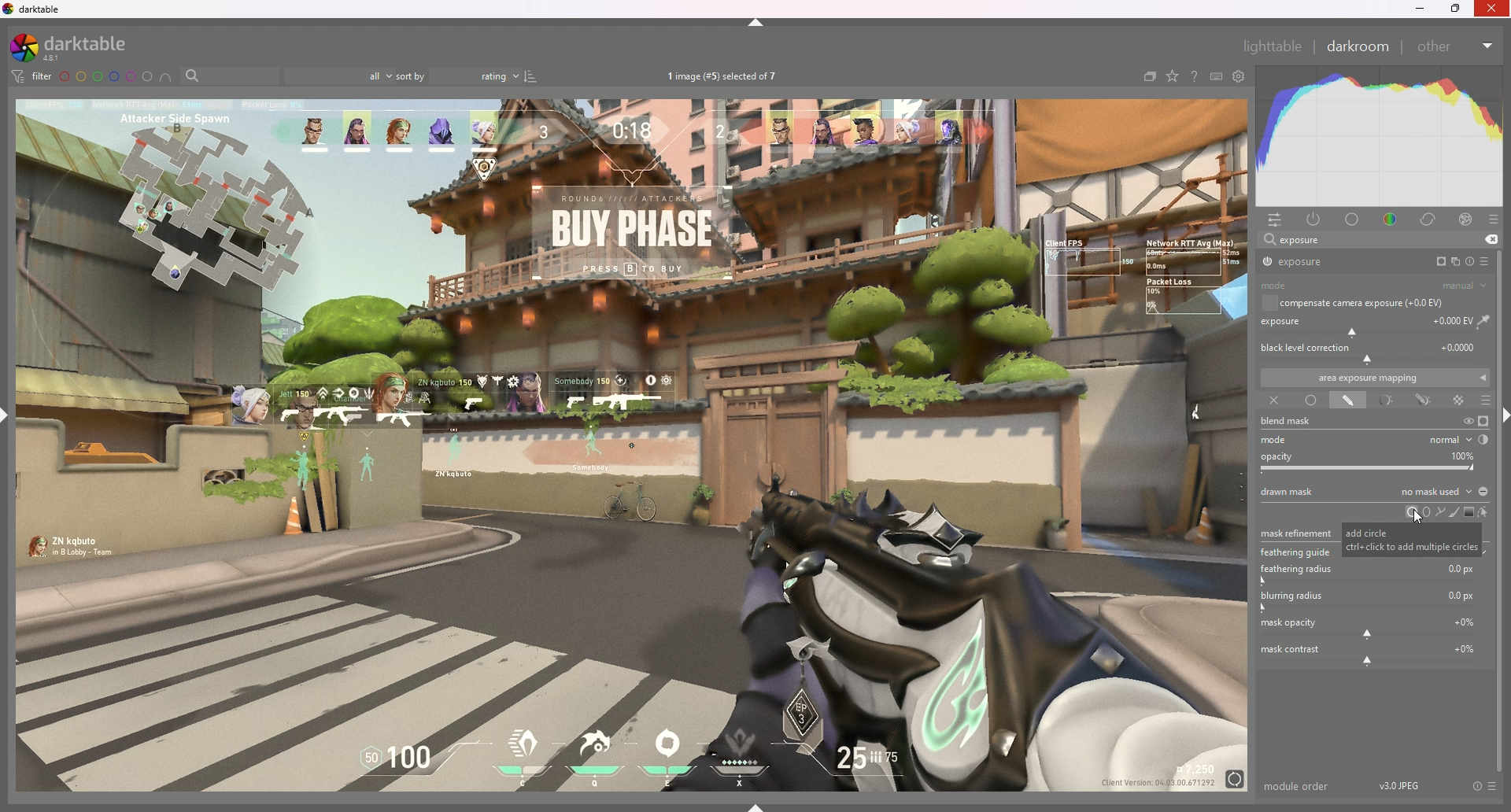 Image resolution: width=1511 pixels, height=812 pixels. Describe the element at coordinates (1411, 539) in the screenshot. I see `tooltip` at that location.